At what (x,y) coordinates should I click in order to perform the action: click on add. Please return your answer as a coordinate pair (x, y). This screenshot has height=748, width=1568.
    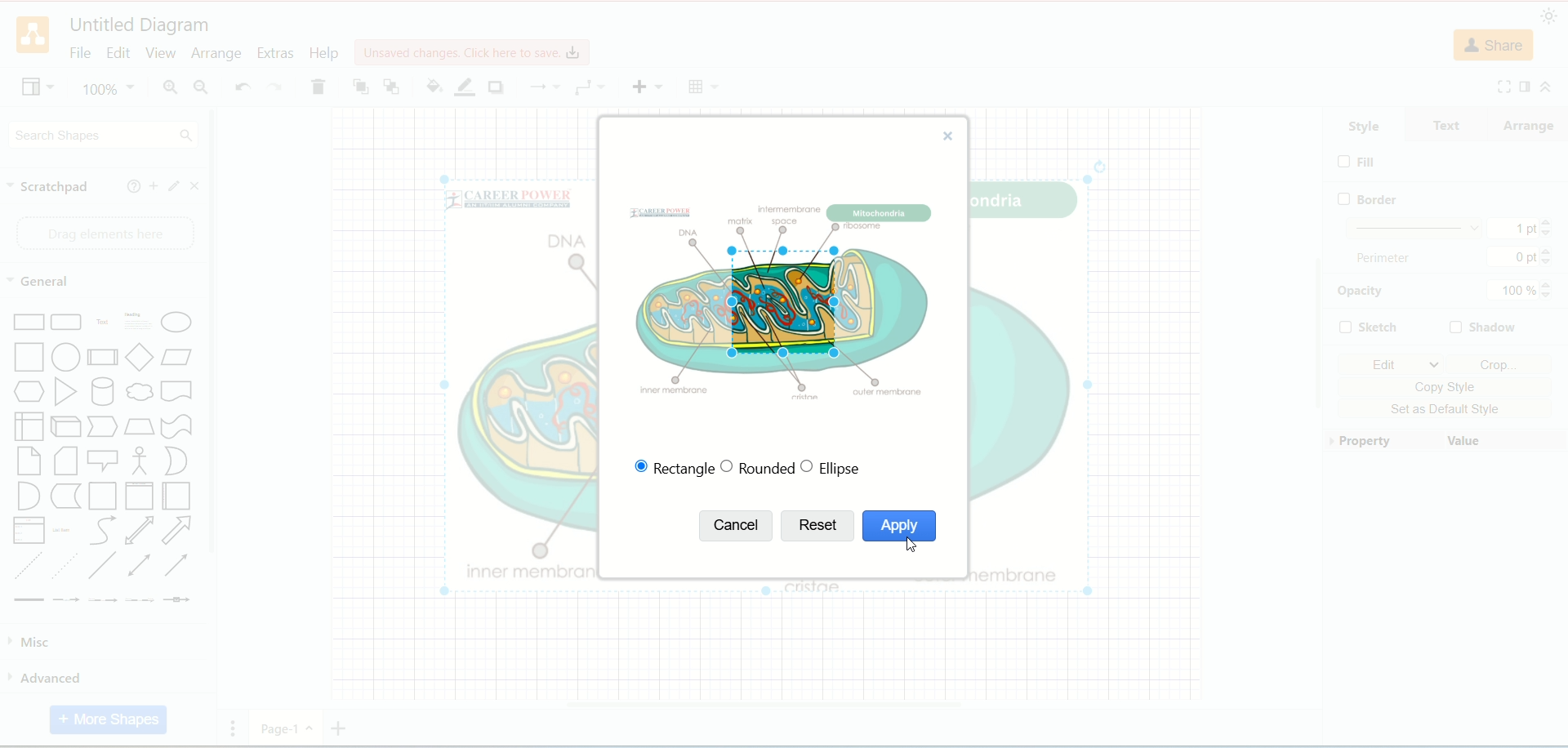
    Looking at the image, I should click on (154, 185).